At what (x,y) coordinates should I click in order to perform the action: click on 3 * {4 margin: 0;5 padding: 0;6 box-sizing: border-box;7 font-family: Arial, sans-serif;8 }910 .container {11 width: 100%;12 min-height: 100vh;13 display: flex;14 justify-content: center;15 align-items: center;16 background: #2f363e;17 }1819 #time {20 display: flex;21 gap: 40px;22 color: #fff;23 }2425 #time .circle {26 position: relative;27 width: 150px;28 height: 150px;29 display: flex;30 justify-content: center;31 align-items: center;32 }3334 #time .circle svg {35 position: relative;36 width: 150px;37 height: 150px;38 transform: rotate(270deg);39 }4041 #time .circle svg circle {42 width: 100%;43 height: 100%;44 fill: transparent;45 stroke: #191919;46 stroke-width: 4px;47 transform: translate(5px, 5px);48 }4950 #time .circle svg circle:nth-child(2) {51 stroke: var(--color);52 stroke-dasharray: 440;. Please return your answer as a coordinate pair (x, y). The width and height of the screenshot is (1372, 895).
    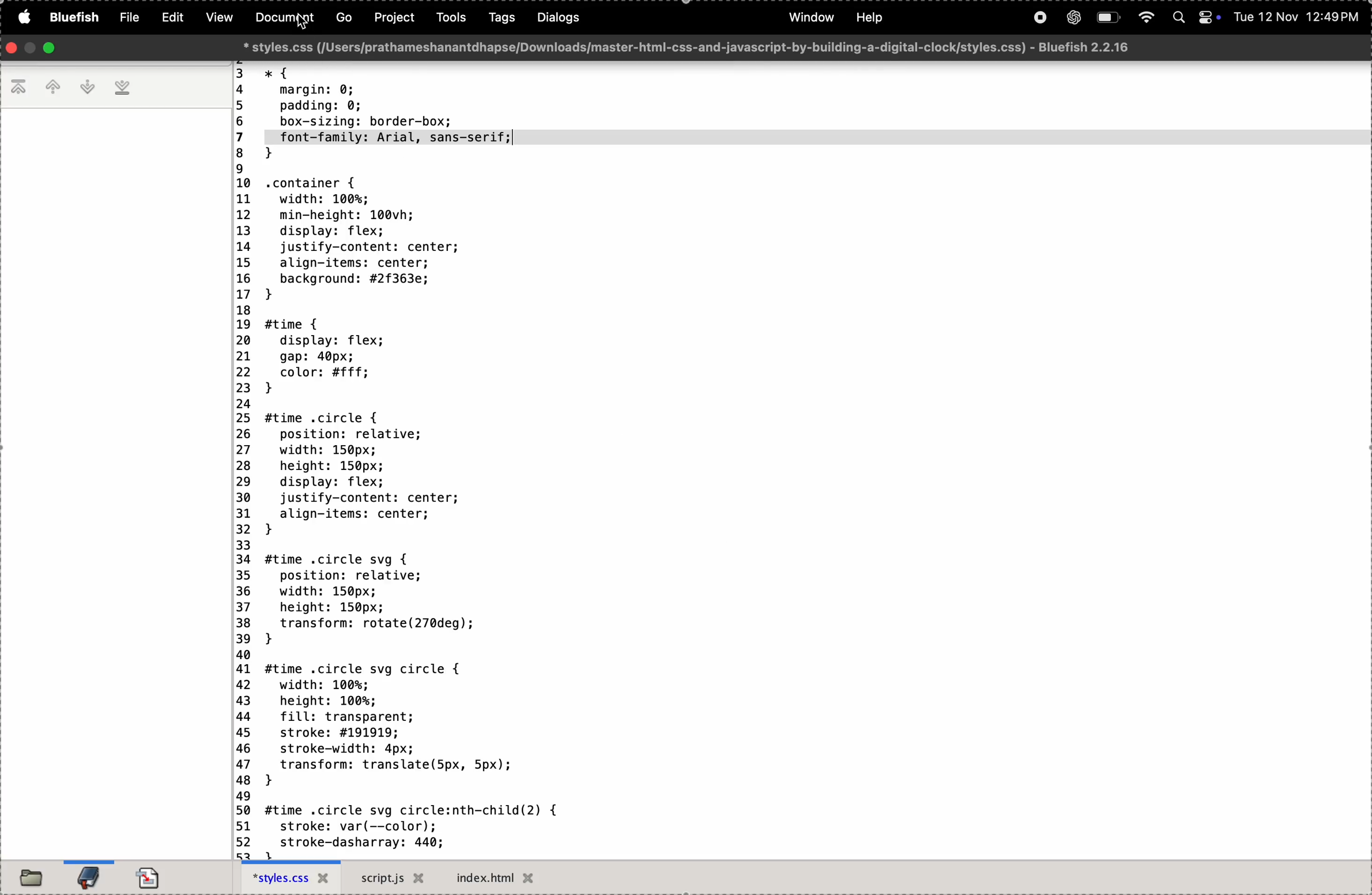
    Looking at the image, I should click on (444, 460).